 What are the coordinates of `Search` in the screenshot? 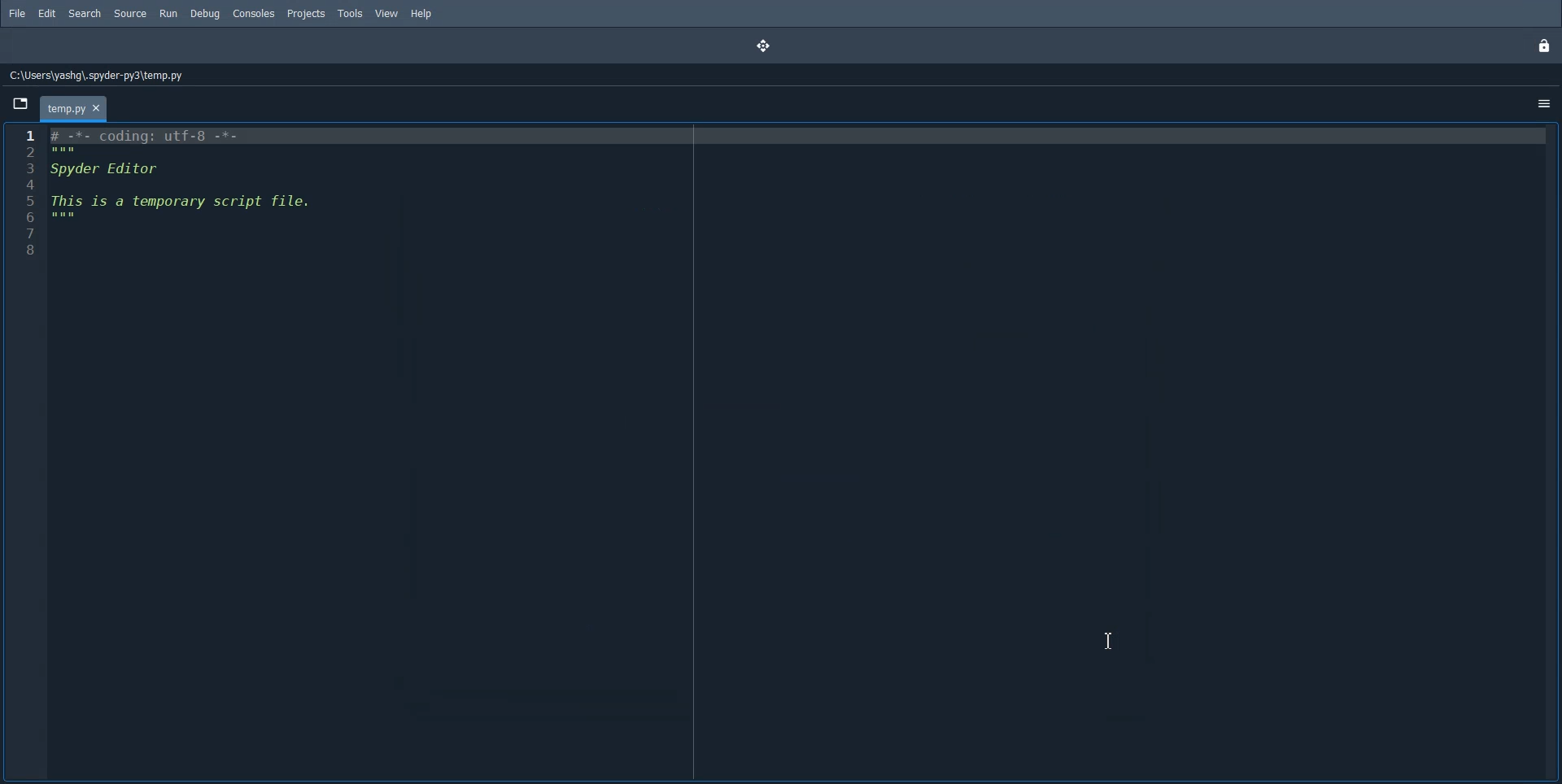 It's located at (85, 14).